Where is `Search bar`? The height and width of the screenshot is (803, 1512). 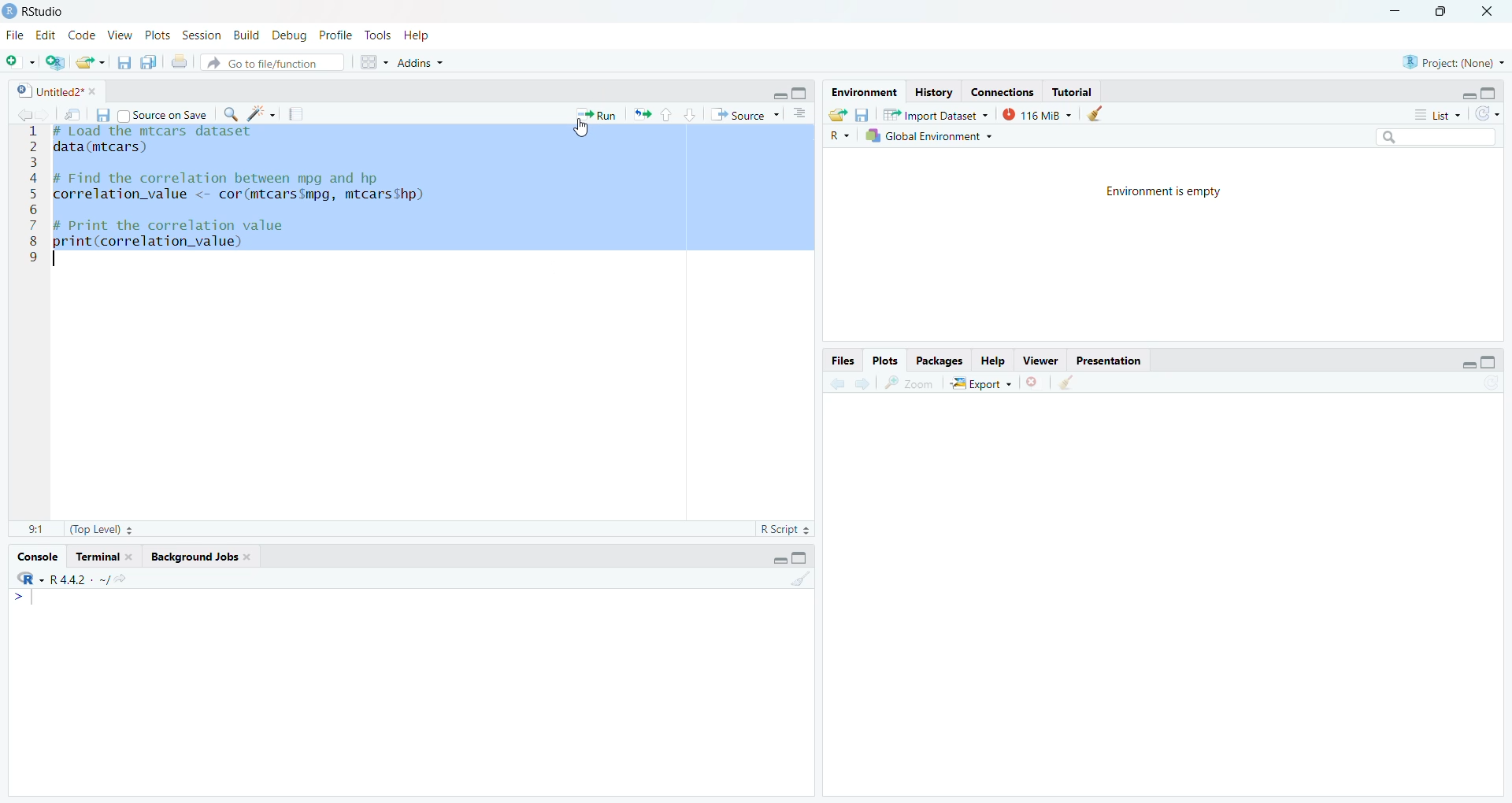
Search bar is located at coordinates (1439, 136).